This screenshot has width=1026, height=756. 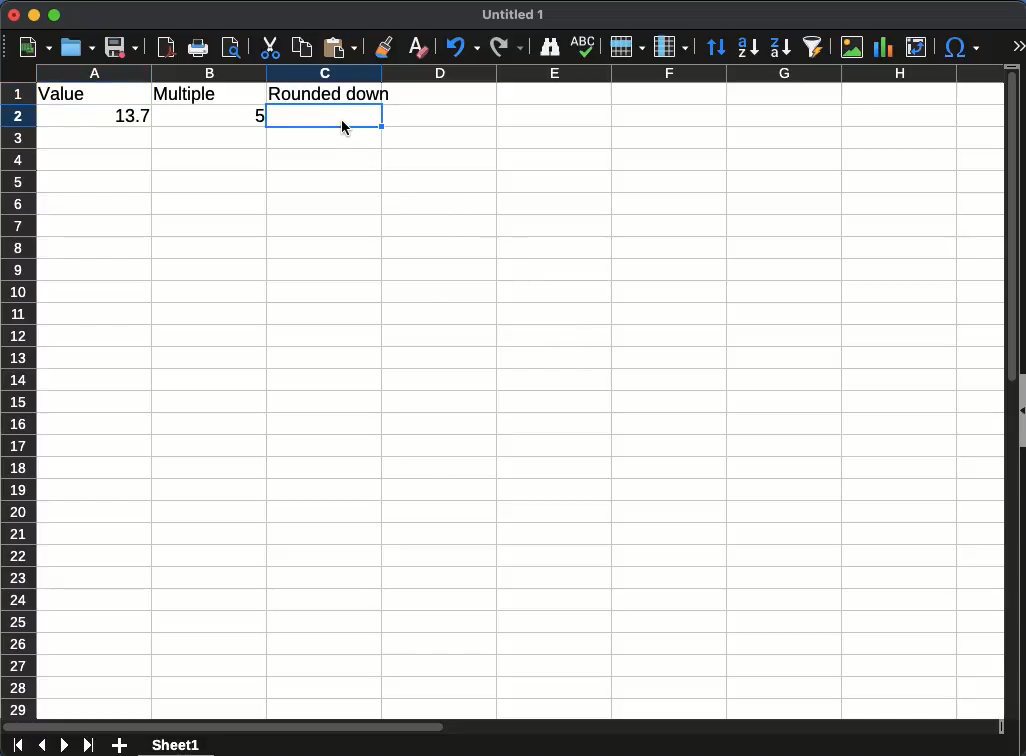 What do you see at coordinates (920, 48) in the screenshot?
I see `pivot table` at bounding box center [920, 48].